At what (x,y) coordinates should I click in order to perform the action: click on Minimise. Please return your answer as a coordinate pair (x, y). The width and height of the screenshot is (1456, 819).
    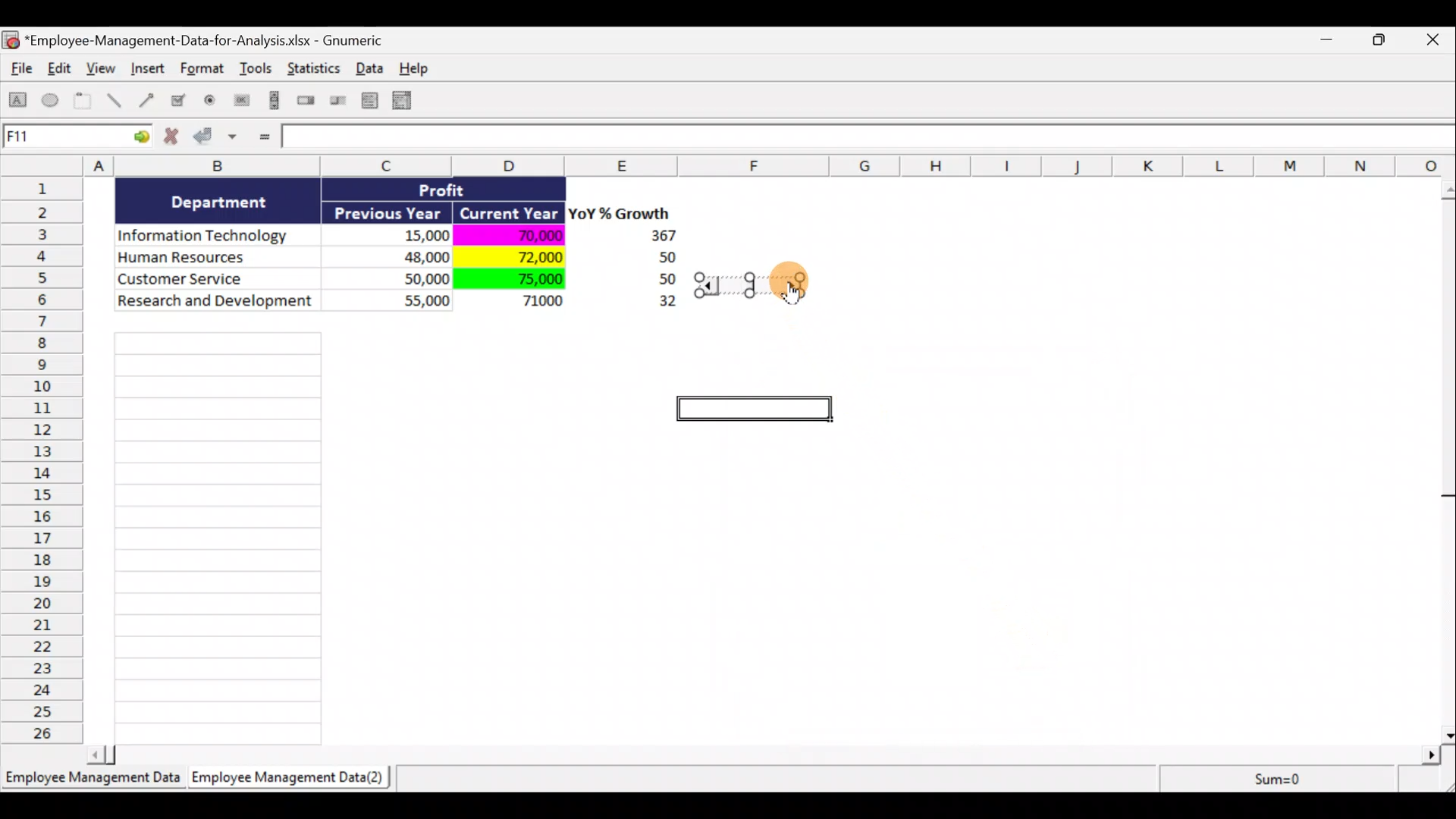
    Looking at the image, I should click on (1330, 42).